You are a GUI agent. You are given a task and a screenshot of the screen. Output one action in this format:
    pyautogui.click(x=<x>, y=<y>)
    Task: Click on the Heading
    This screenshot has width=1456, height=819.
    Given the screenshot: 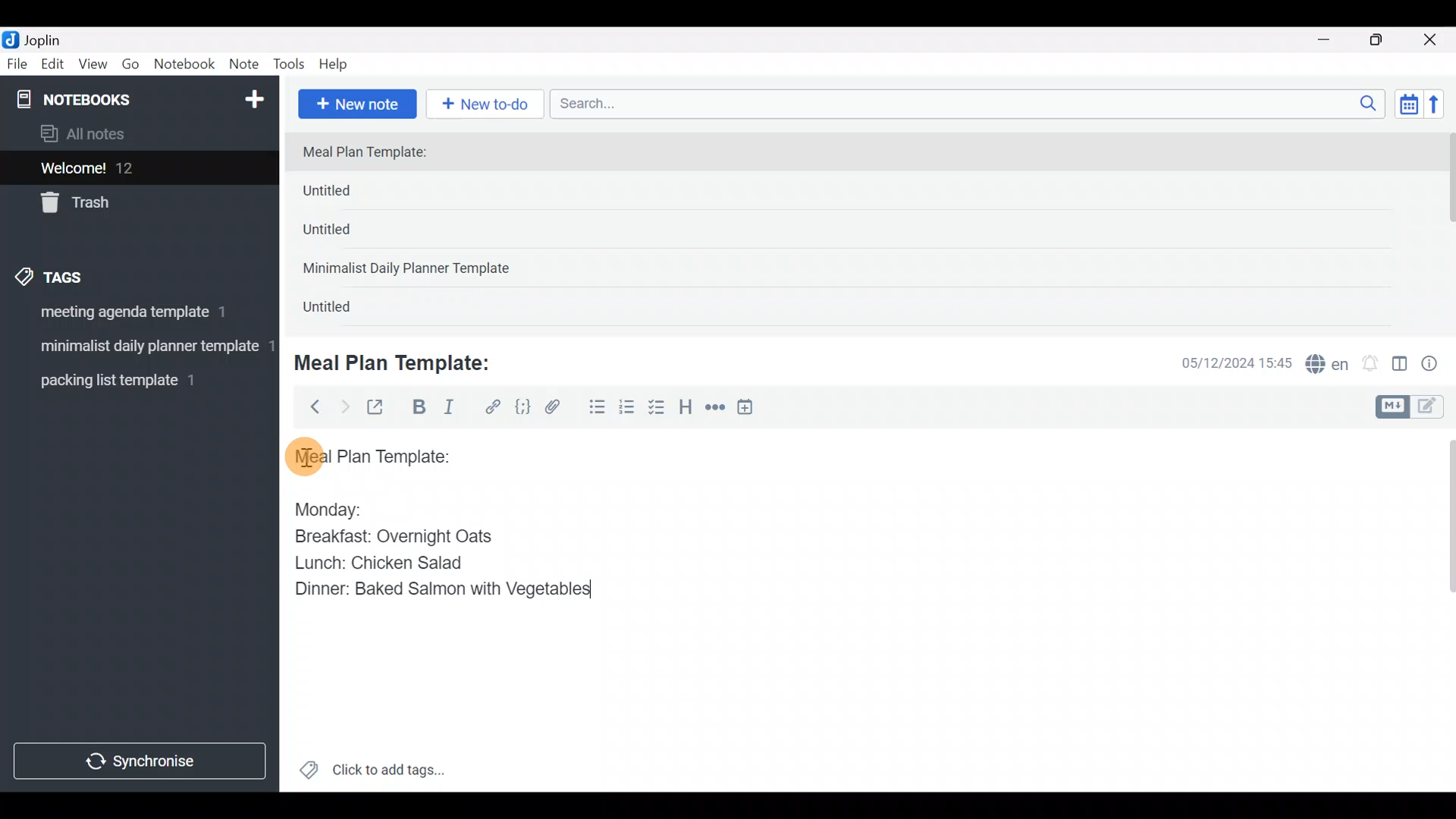 What is the action you would take?
    pyautogui.click(x=686, y=409)
    